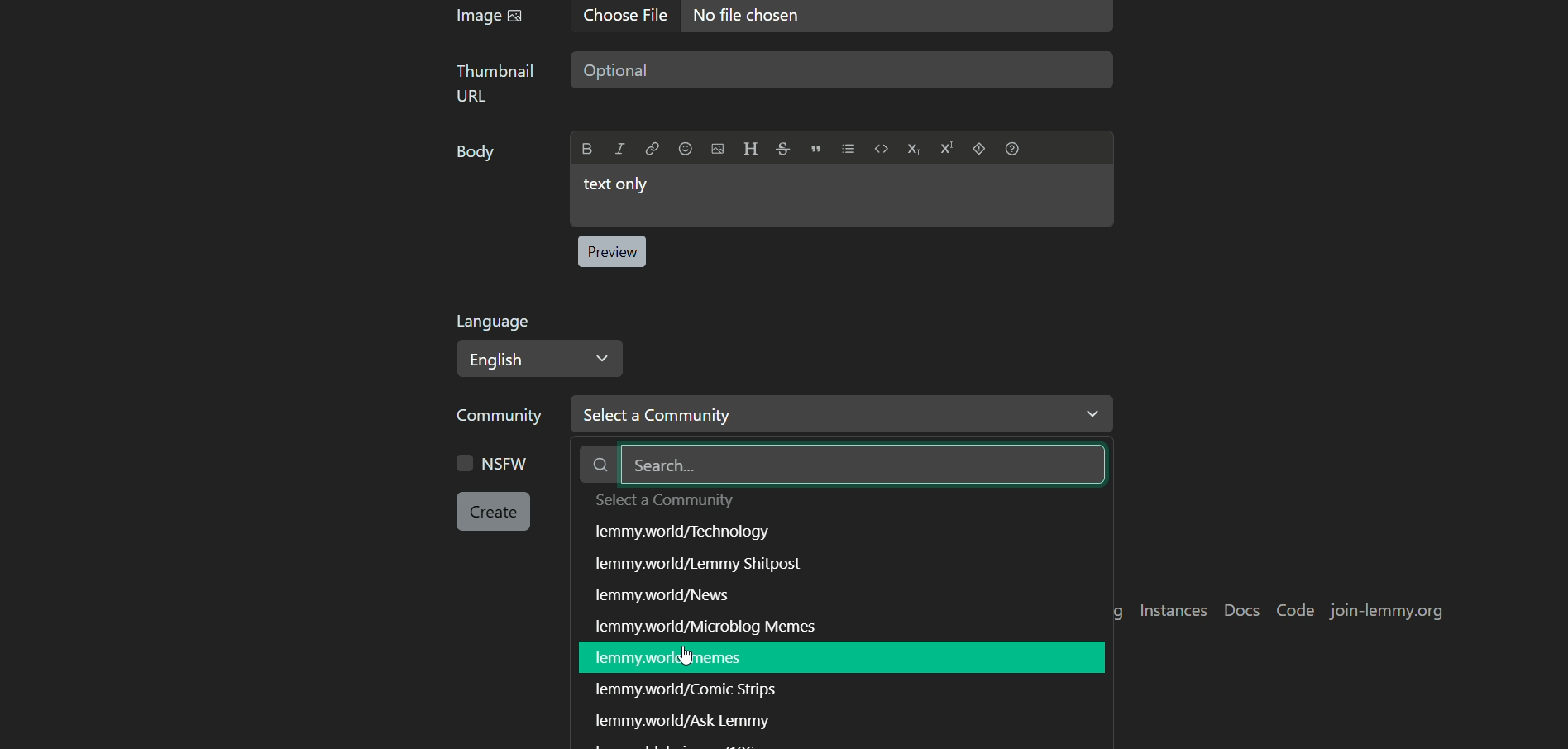 The width and height of the screenshot is (1568, 749). Describe the element at coordinates (666, 502) in the screenshot. I see `select` at that location.